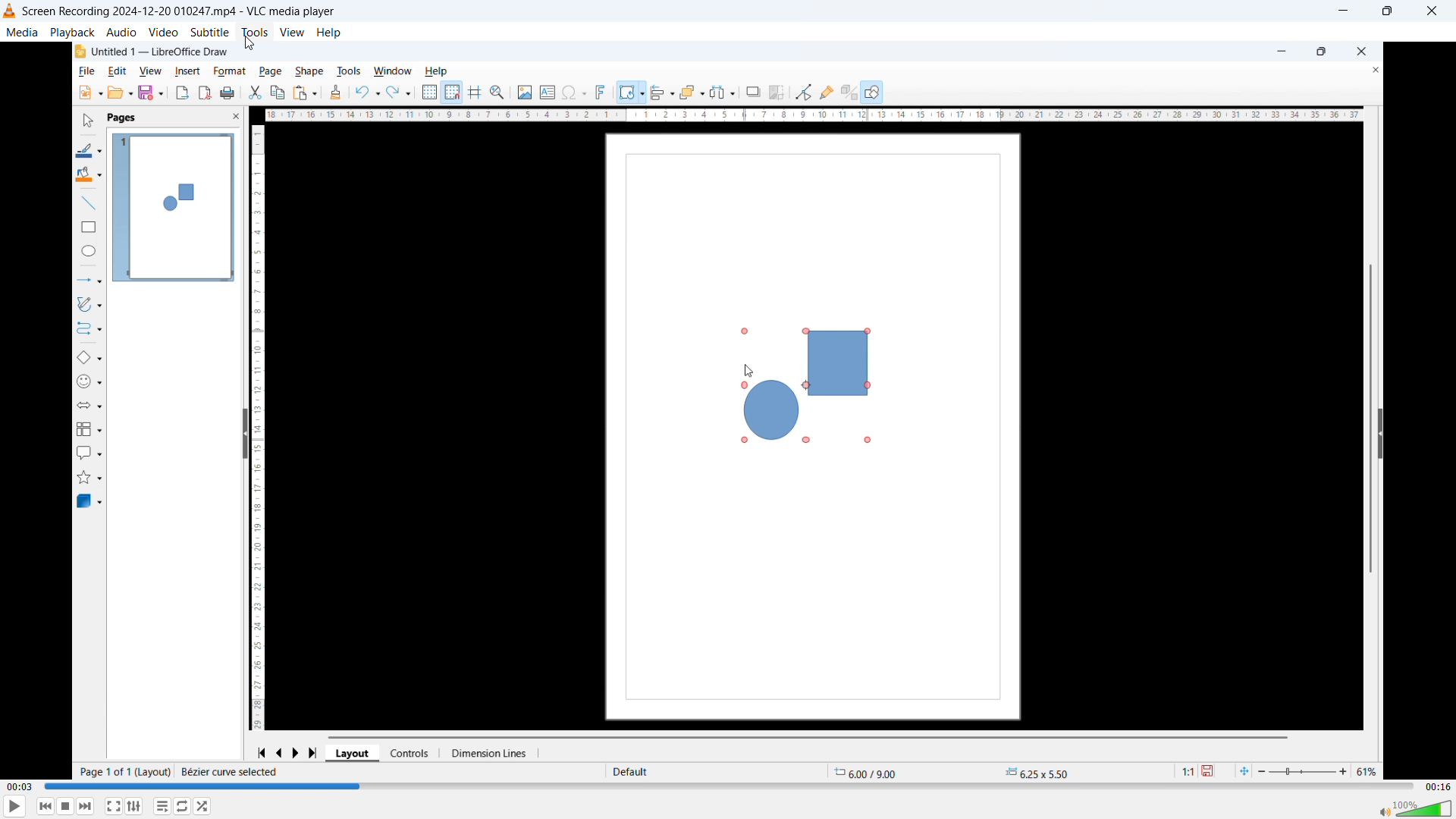 Image resolution: width=1456 pixels, height=819 pixels. I want to click on Click to toggle between loop all, loop one, no loop, so click(182, 807).